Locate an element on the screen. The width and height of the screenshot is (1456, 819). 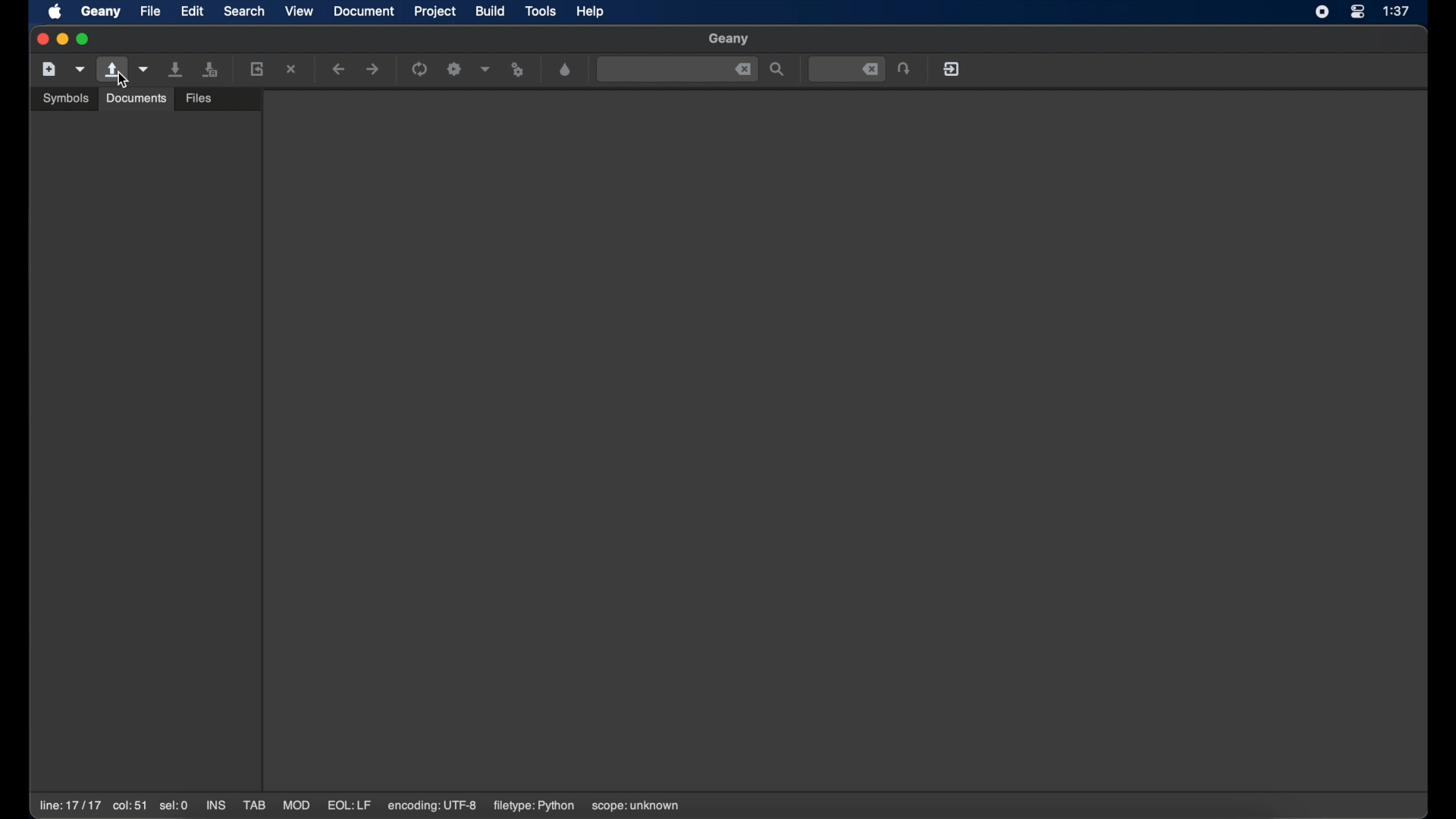
geany is located at coordinates (100, 11).